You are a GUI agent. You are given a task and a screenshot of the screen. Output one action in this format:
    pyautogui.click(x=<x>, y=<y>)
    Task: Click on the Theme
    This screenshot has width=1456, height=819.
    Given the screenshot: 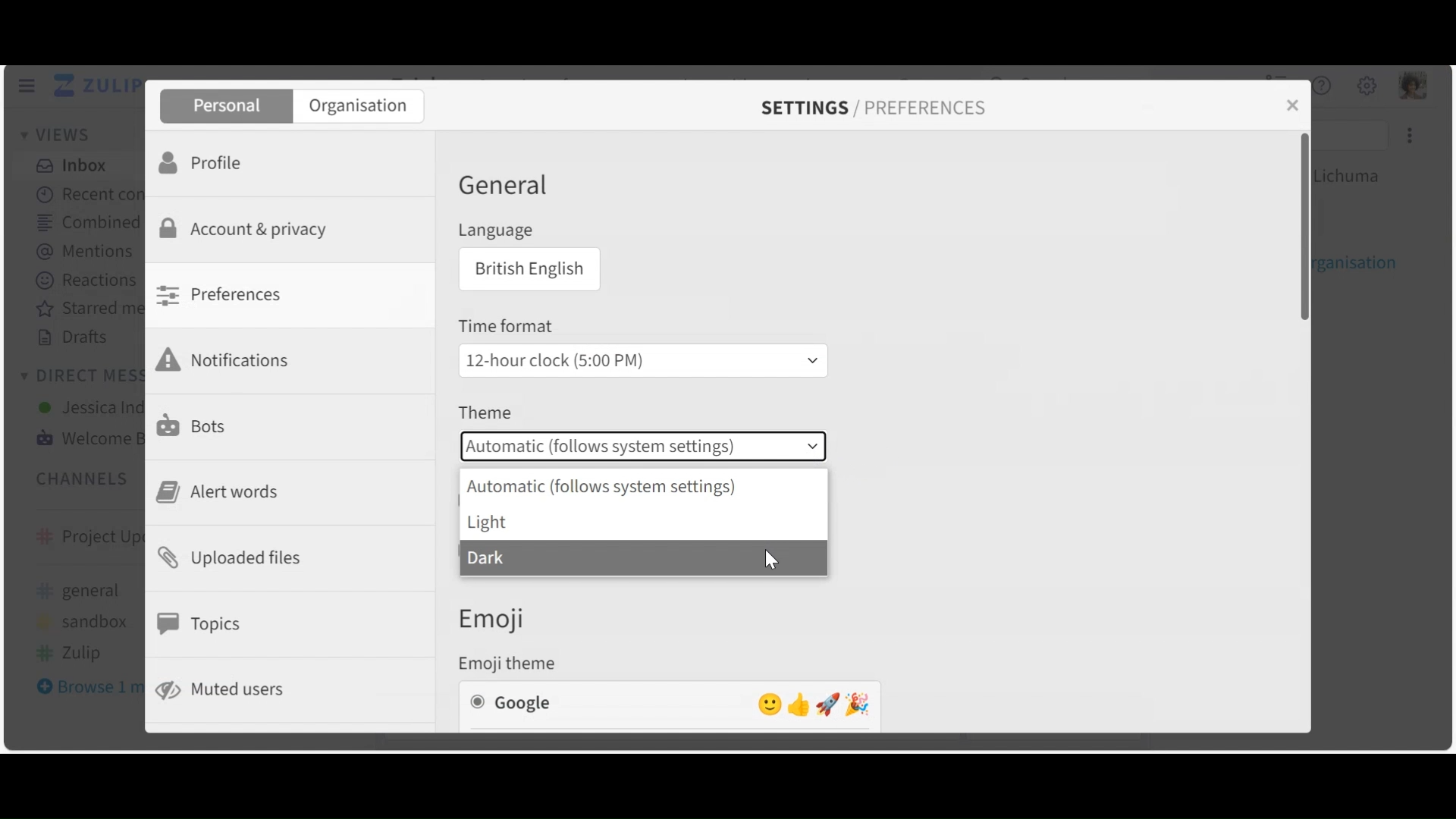 What is the action you would take?
    pyautogui.click(x=485, y=414)
    